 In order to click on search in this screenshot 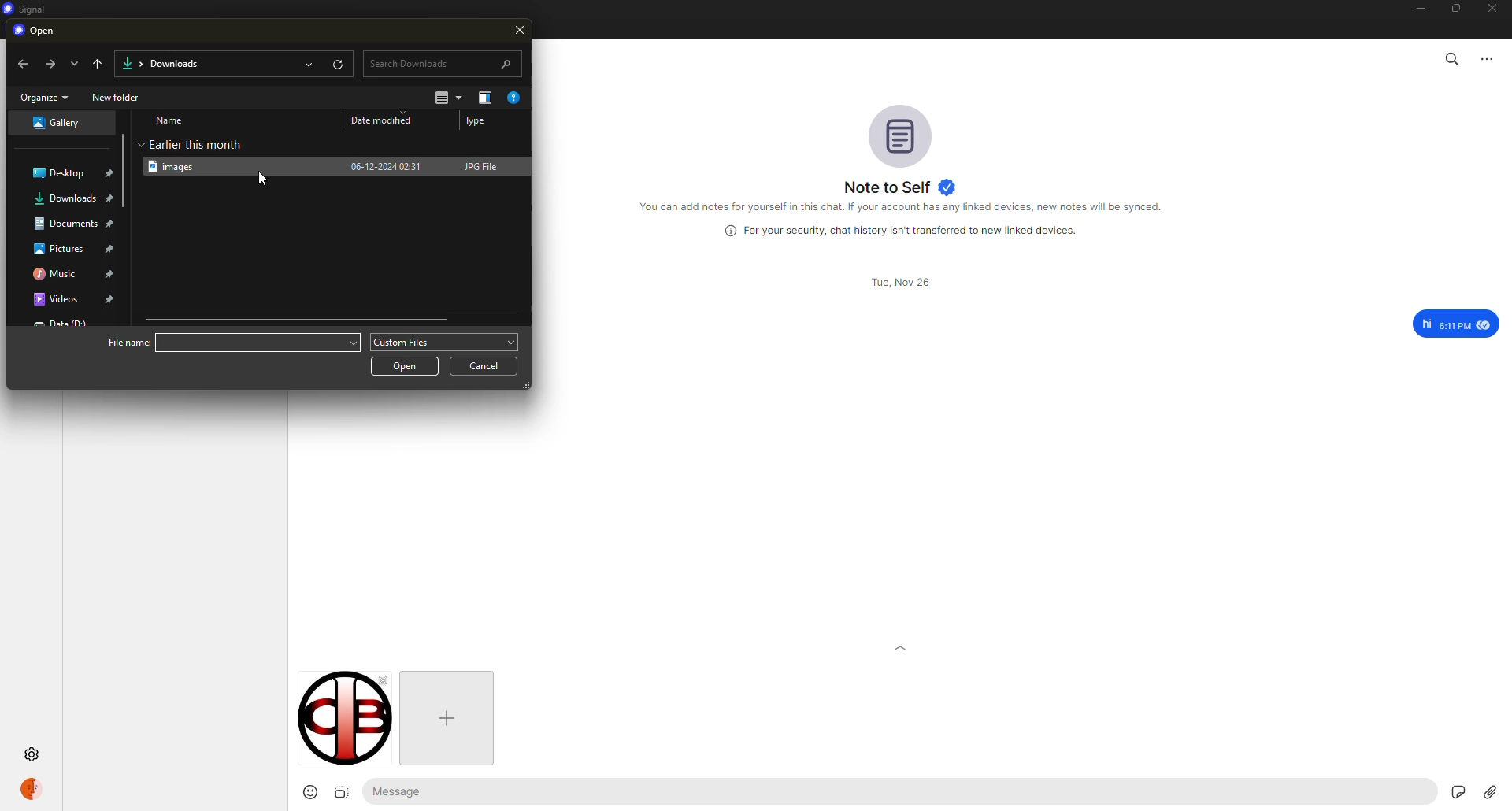, I will do `click(444, 62)`.